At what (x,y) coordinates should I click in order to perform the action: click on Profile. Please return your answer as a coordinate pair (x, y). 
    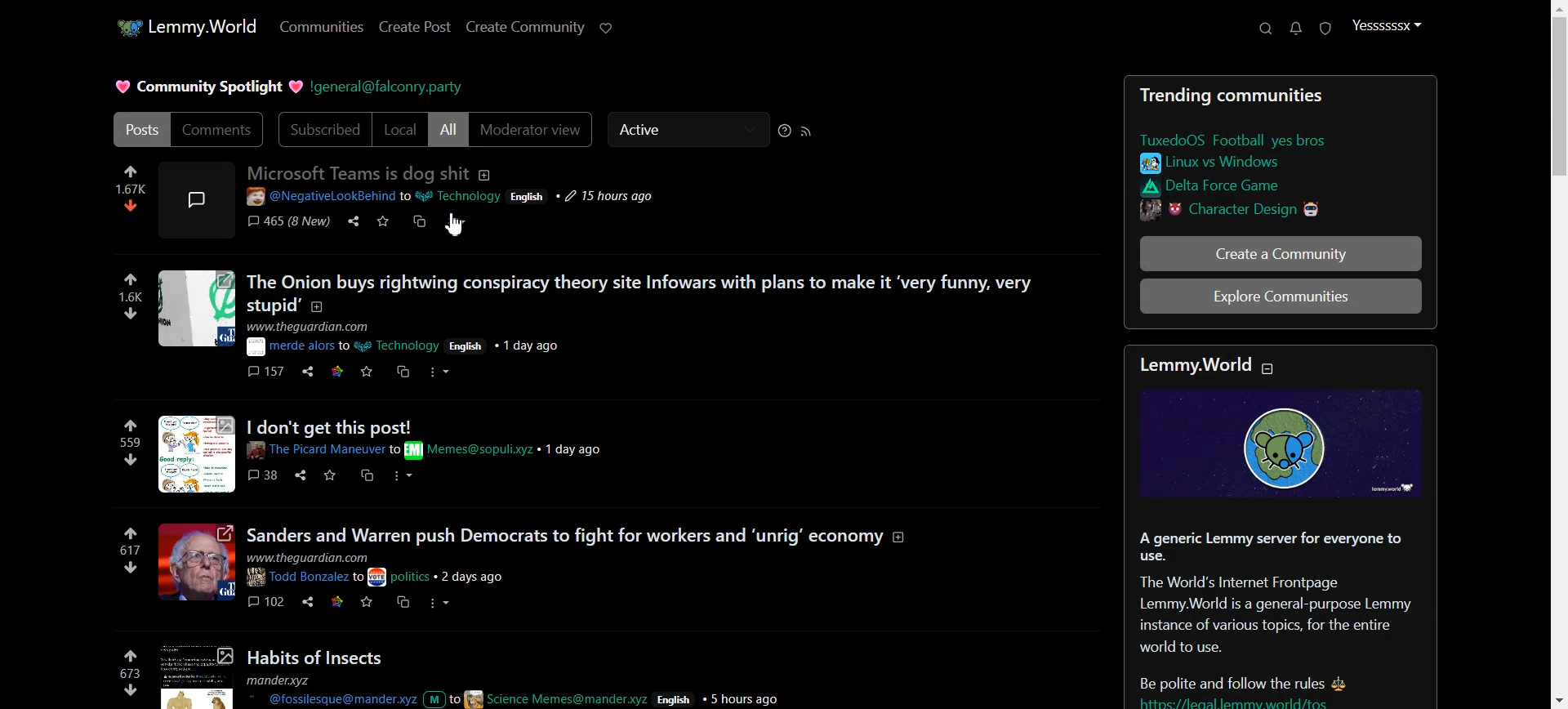
    Looking at the image, I should click on (1387, 25).